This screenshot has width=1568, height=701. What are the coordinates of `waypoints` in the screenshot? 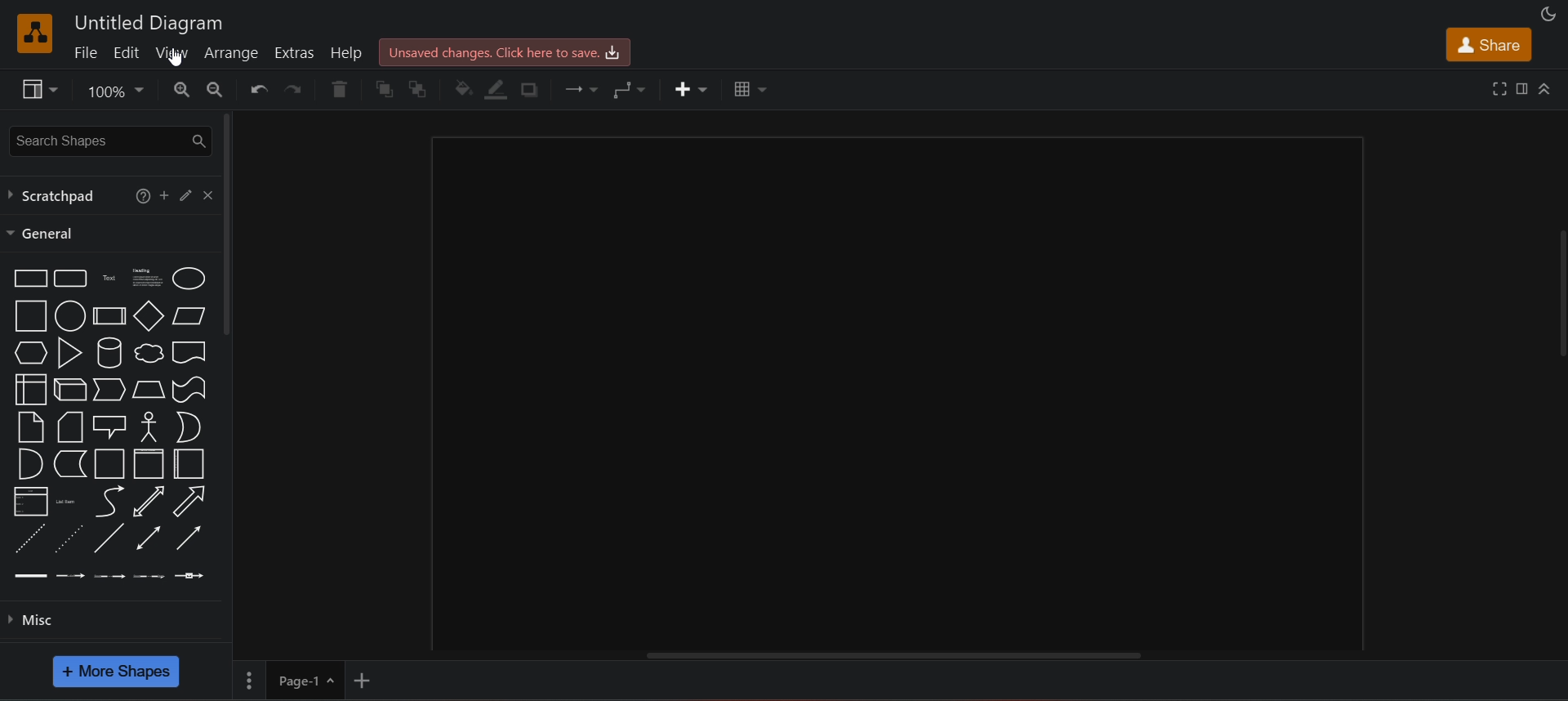 It's located at (628, 89).